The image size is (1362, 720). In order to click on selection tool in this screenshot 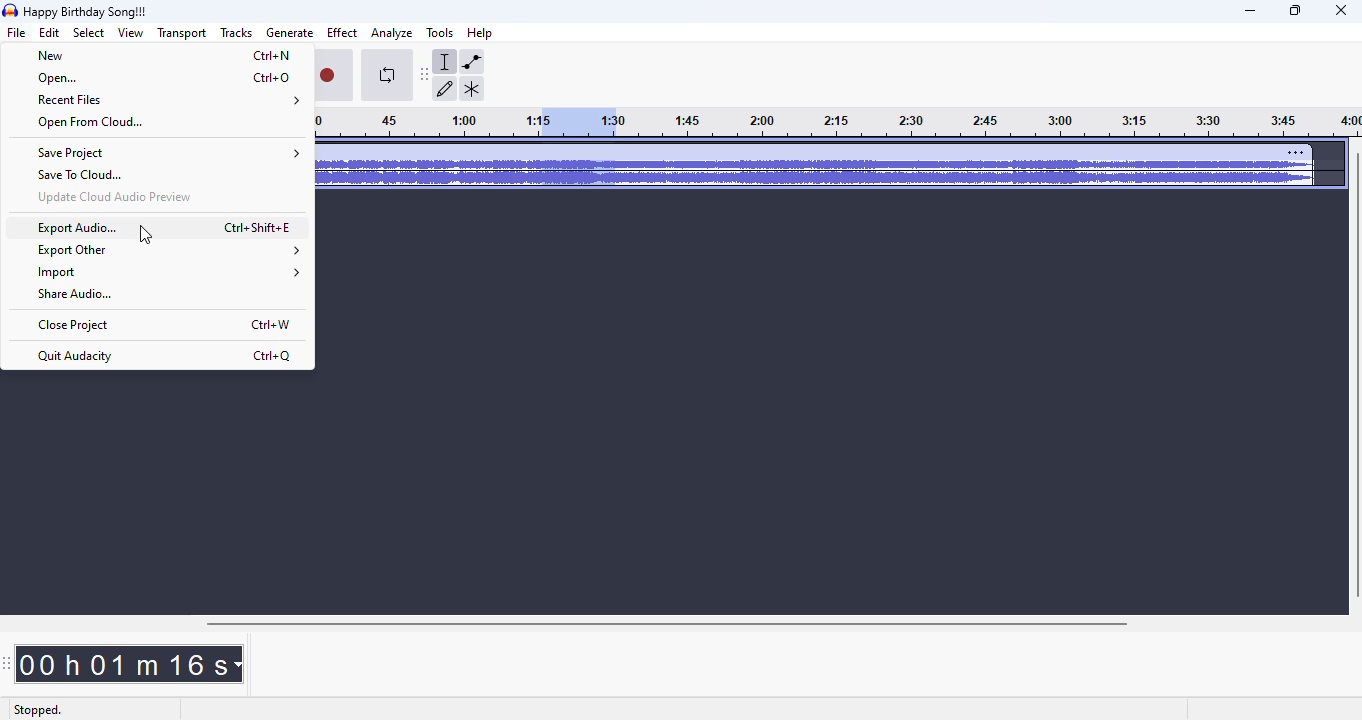, I will do `click(446, 62)`.